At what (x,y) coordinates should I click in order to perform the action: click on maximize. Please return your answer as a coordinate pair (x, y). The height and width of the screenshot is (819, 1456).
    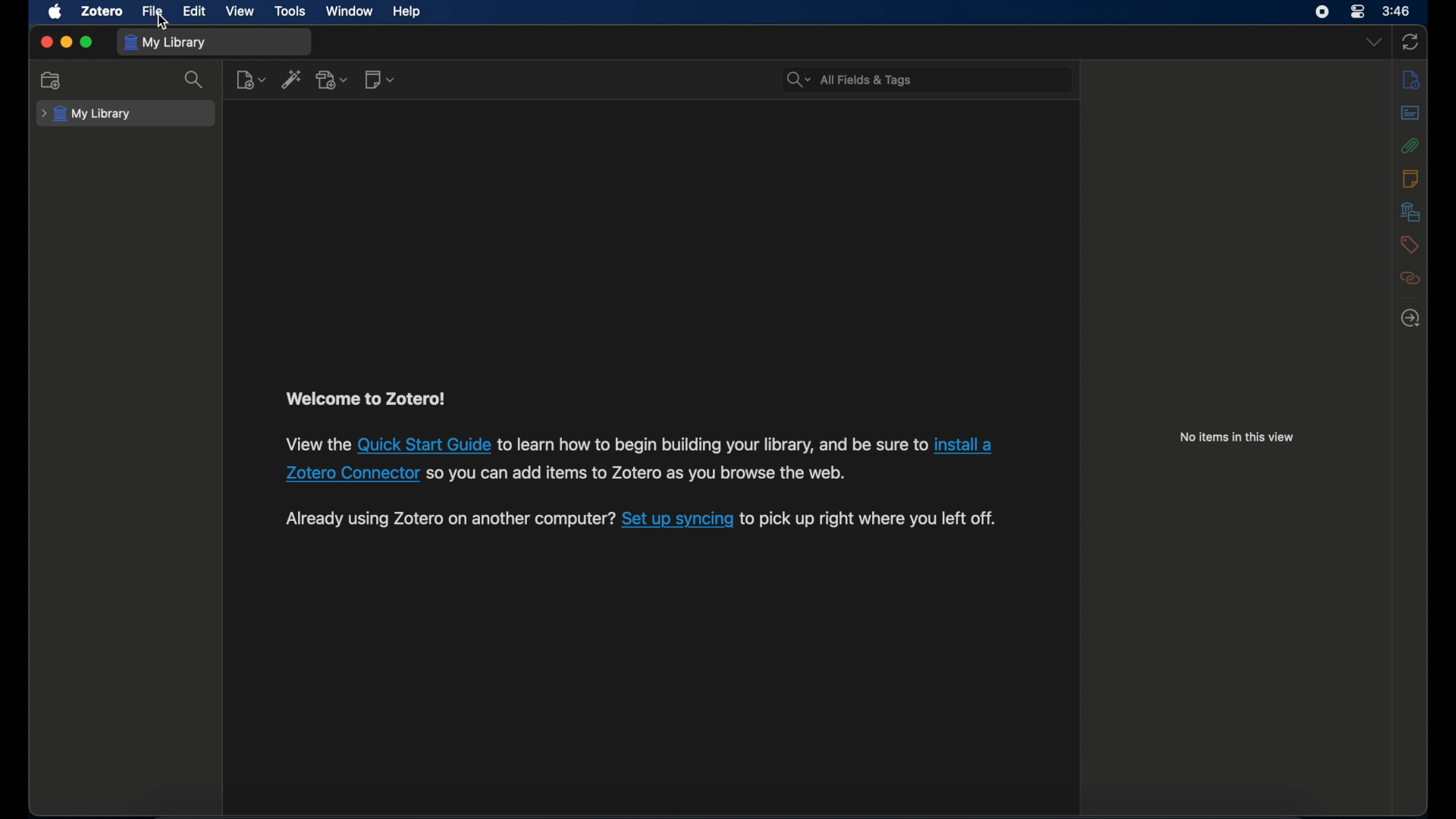
    Looking at the image, I should click on (86, 42).